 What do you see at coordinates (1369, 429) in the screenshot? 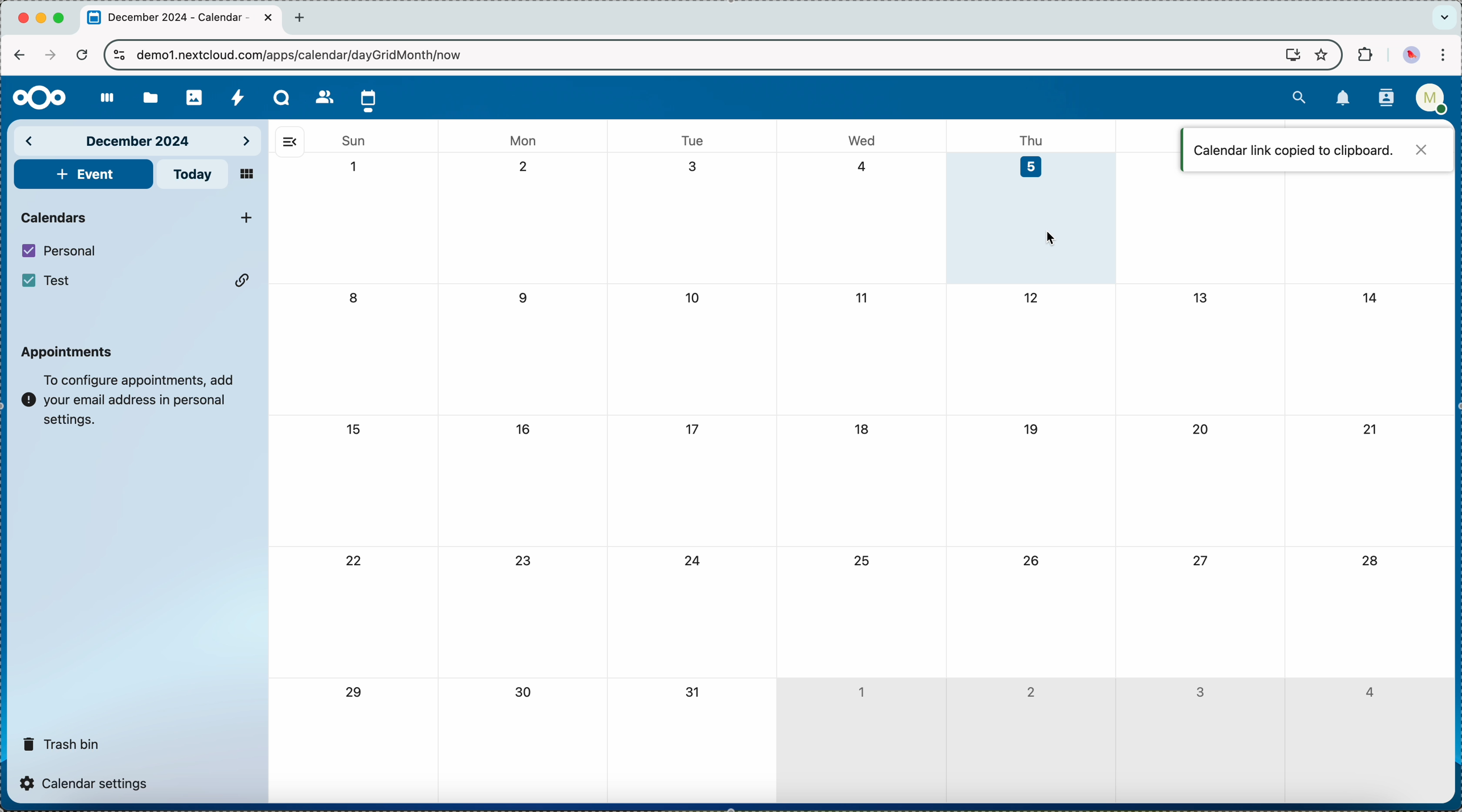
I see `21` at bounding box center [1369, 429].